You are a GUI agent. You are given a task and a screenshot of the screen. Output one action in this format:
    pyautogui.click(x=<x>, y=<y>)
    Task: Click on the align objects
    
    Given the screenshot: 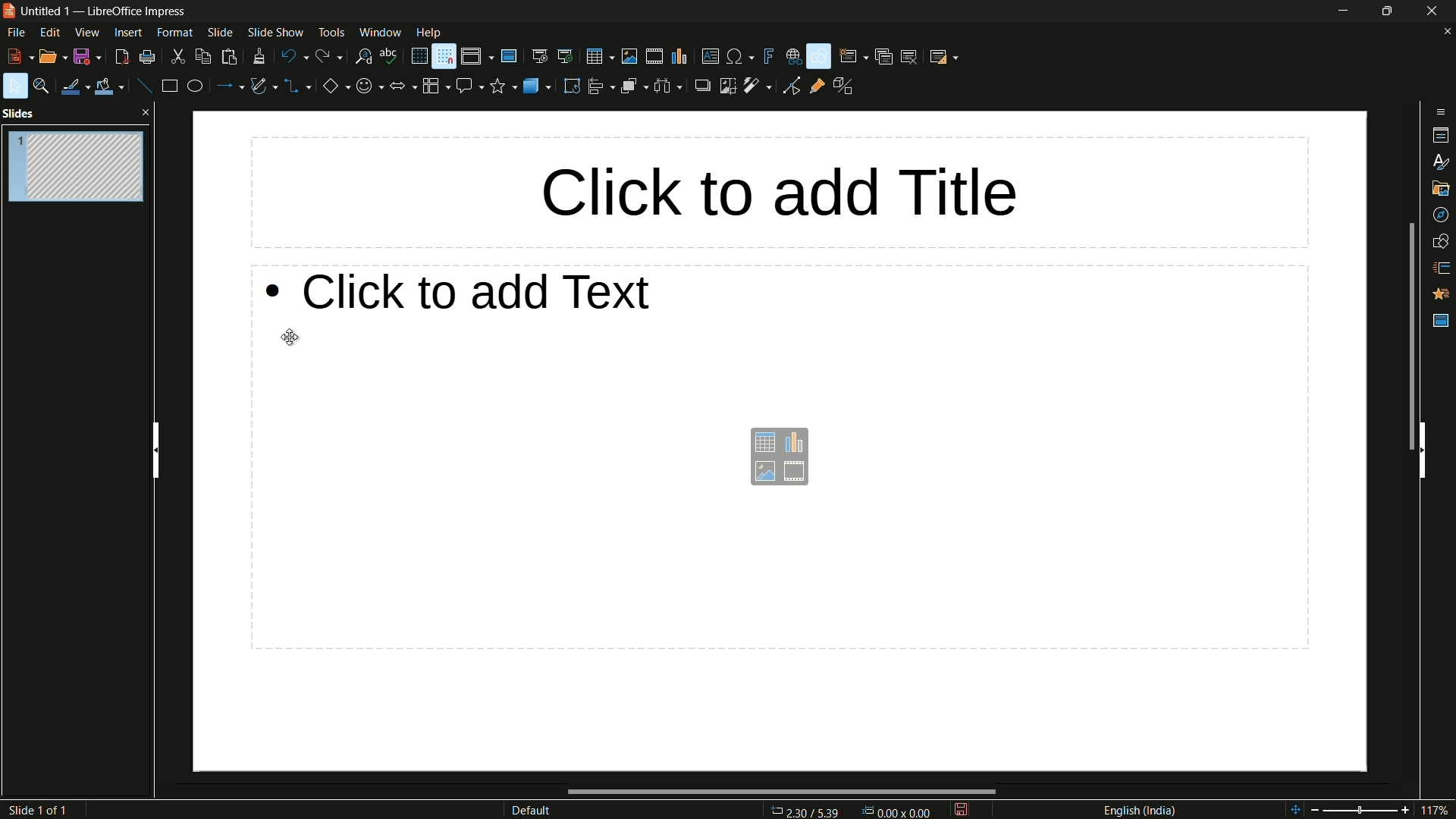 What is the action you would take?
    pyautogui.click(x=601, y=86)
    